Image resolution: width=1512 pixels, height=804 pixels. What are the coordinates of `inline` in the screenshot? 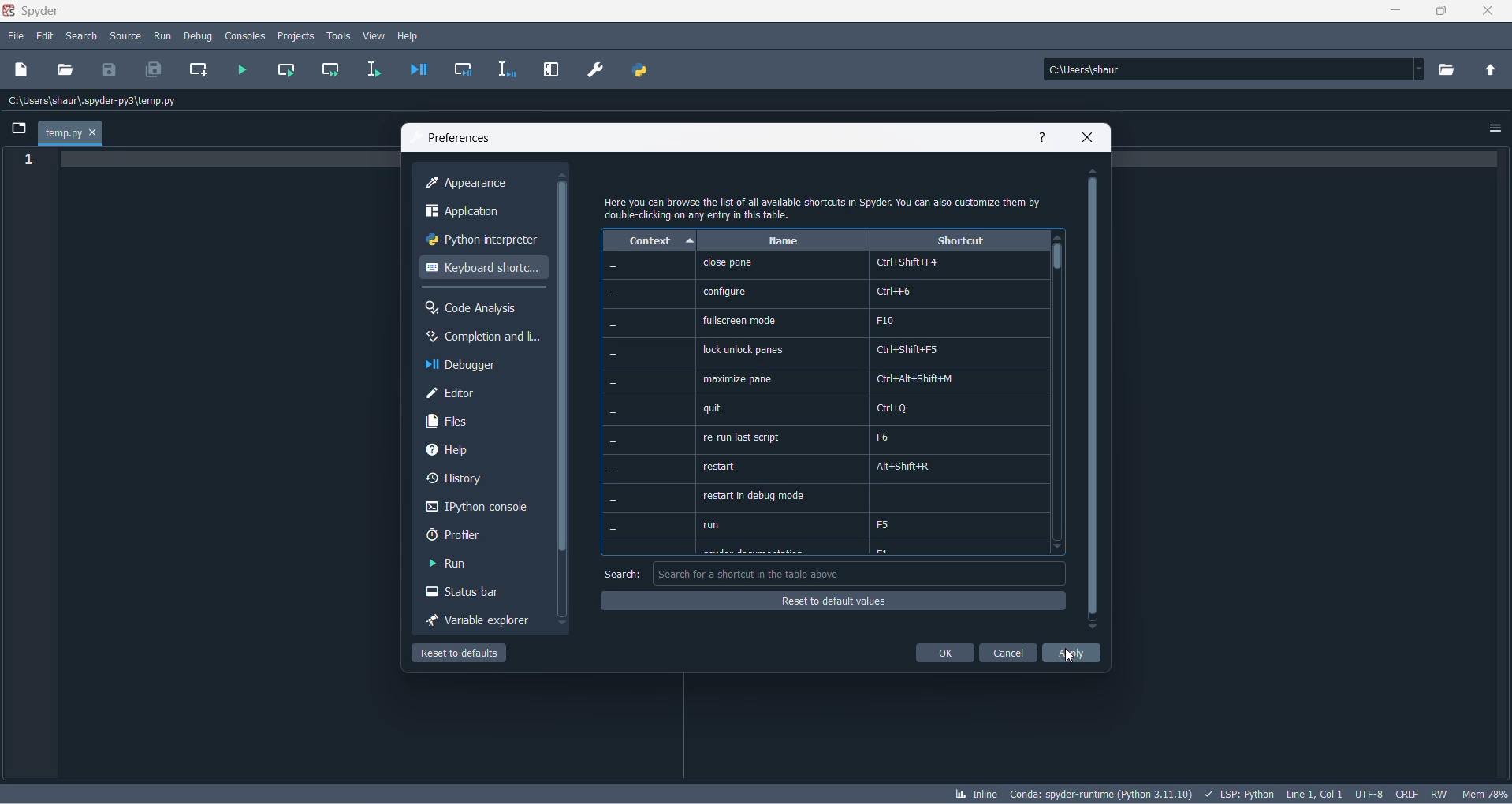 It's located at (975, 795).